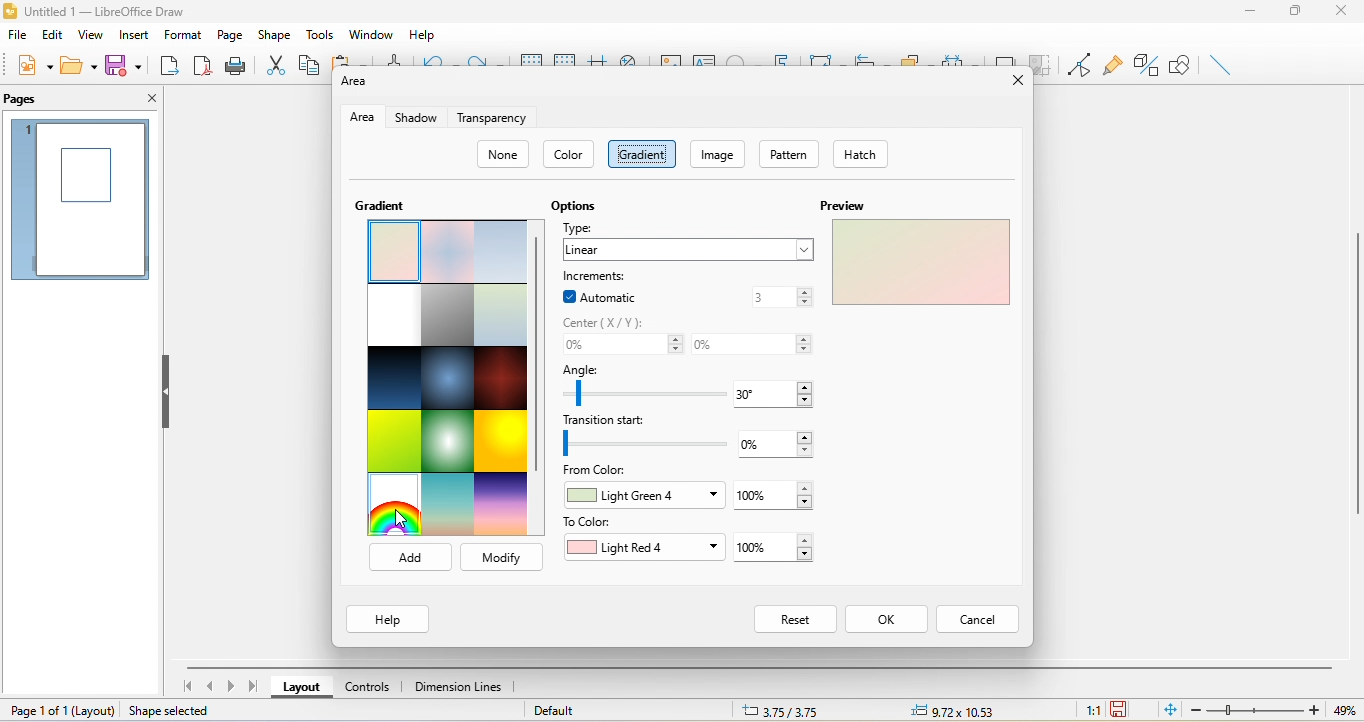 This screenshot has width=1364, height=722. Describe the element at coordinates (189, 686) in the screenshot. I see `first page` at that location.